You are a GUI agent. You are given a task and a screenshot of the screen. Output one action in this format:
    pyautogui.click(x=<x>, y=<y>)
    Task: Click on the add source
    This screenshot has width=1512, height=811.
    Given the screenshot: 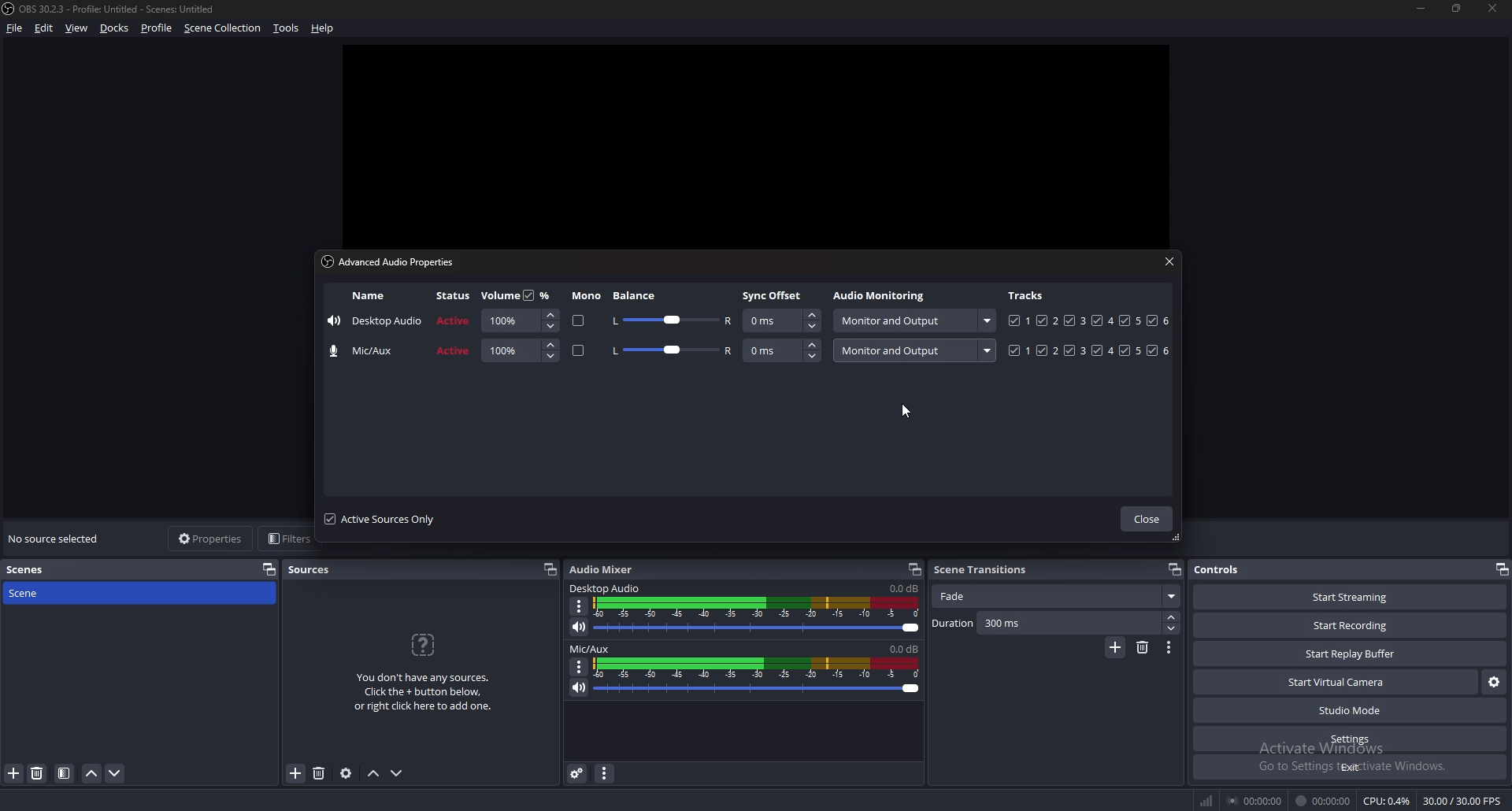 What is the action you would take?
    pyautogui.click(x=296, y=773)
    